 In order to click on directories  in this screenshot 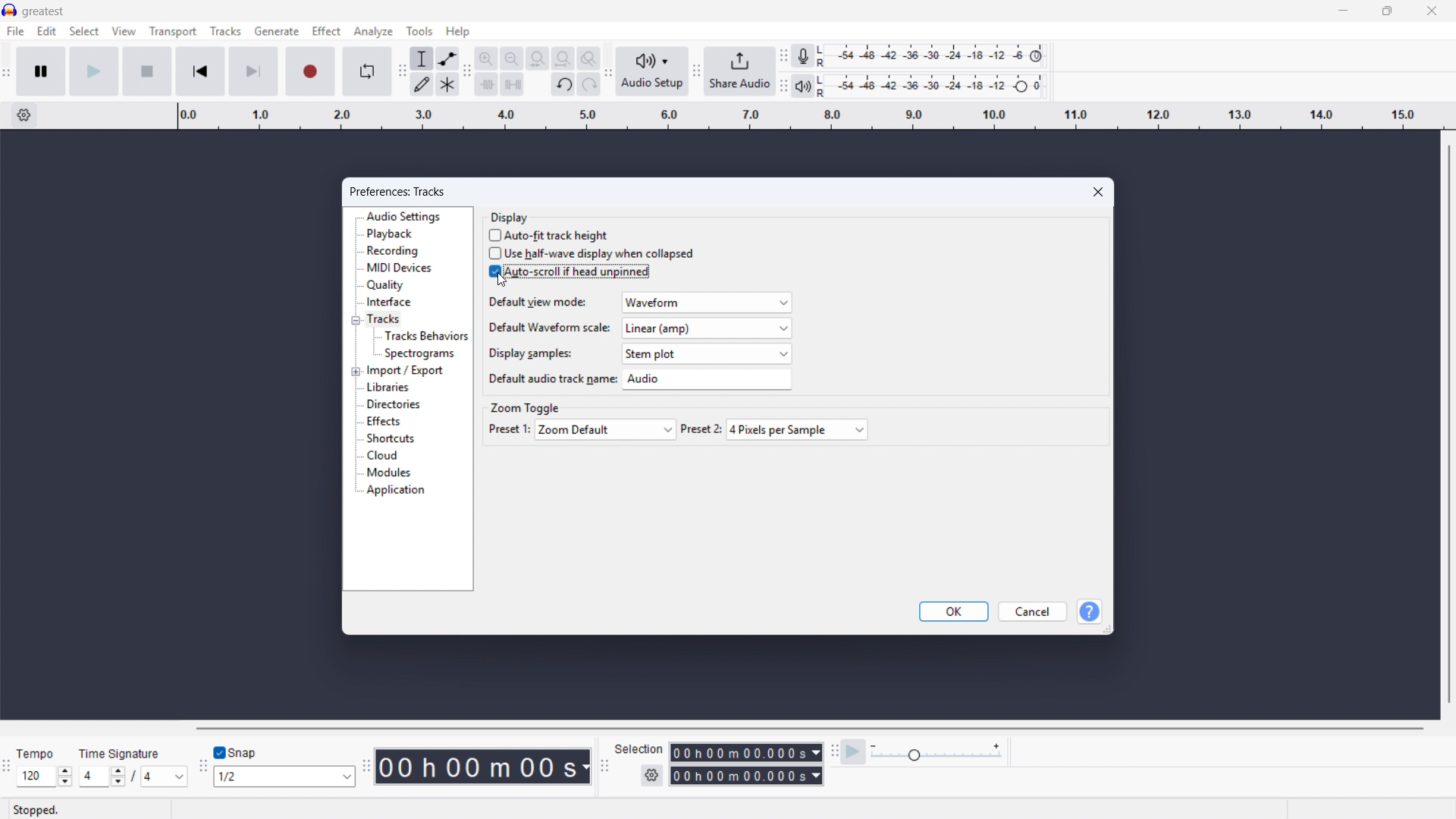, I will do `click(393, 405)`.